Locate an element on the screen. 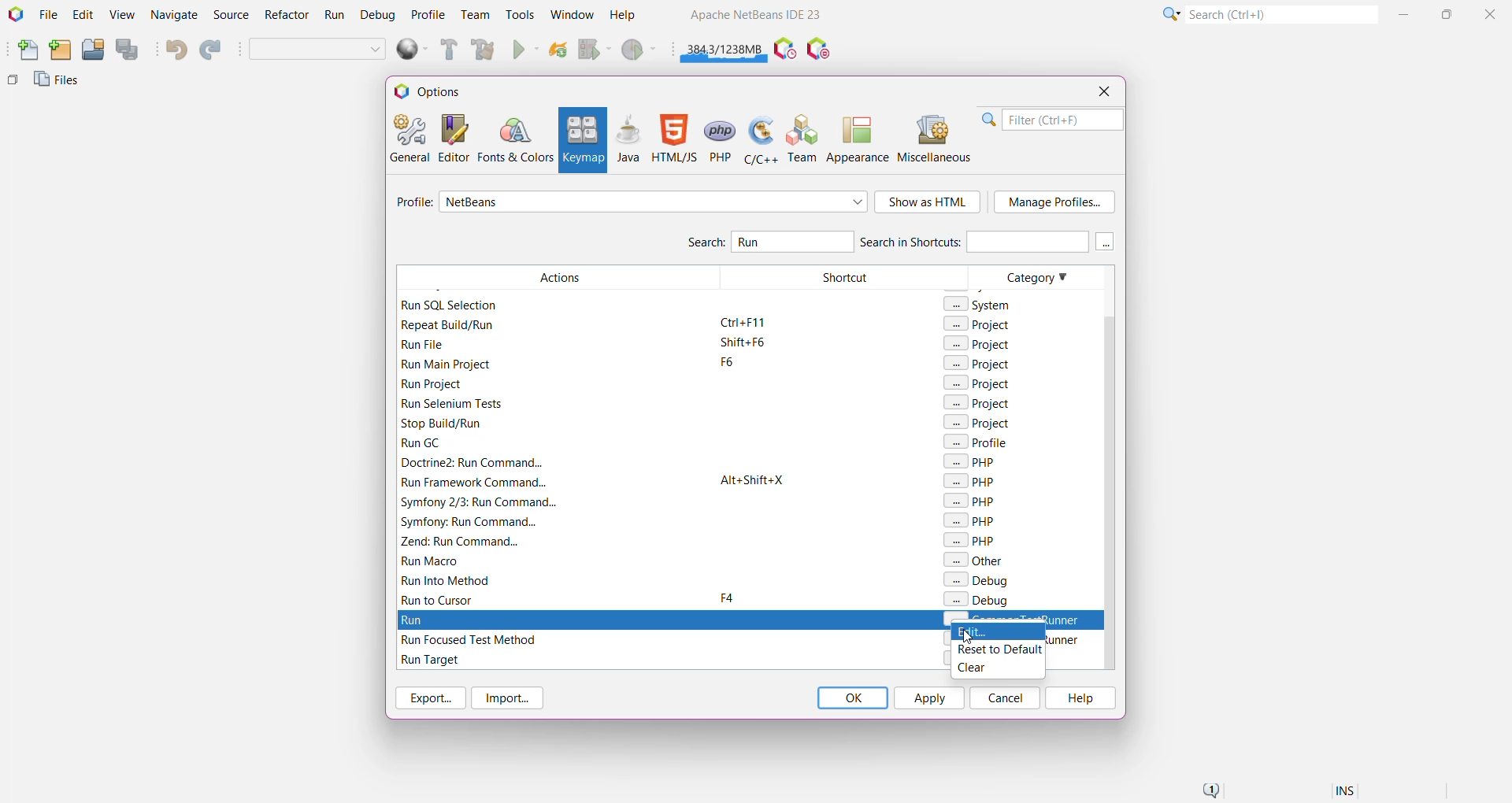  Search in Shortcuts is located at coordinates (973, 241).